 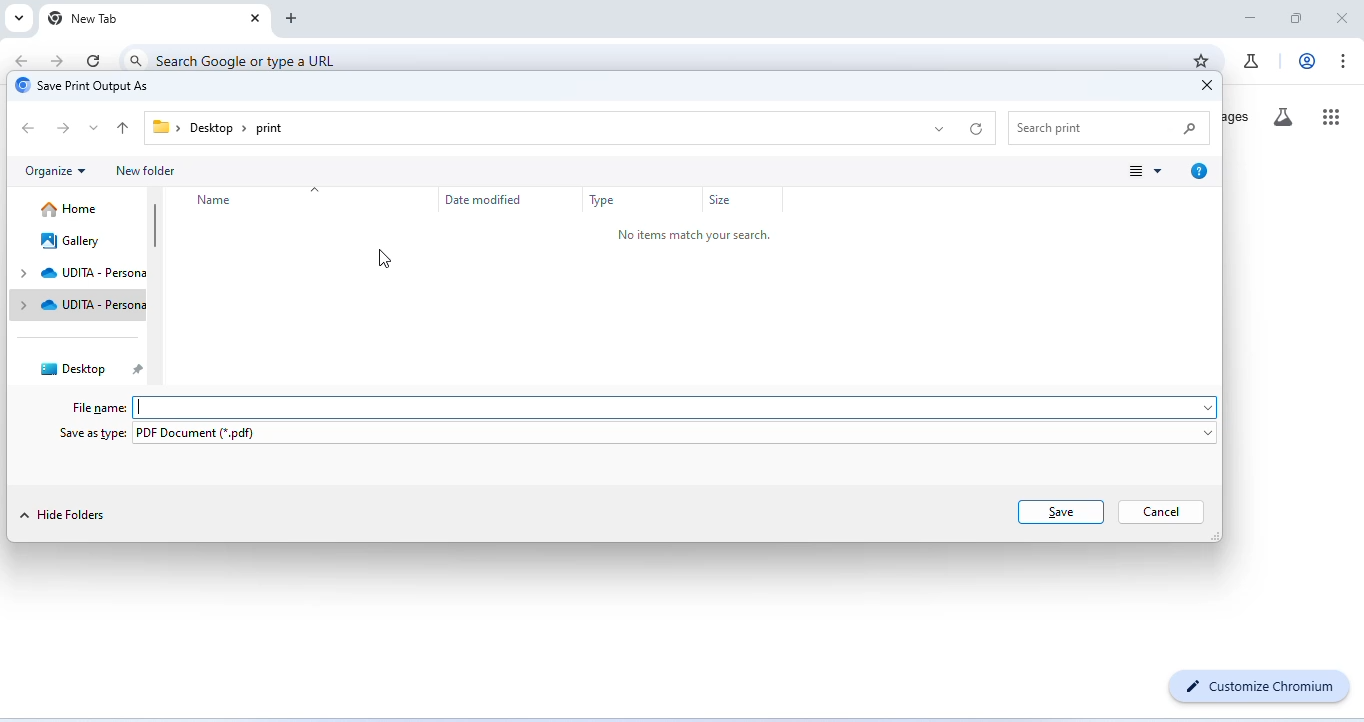 I want to click on print, so click(x=269, y=129).